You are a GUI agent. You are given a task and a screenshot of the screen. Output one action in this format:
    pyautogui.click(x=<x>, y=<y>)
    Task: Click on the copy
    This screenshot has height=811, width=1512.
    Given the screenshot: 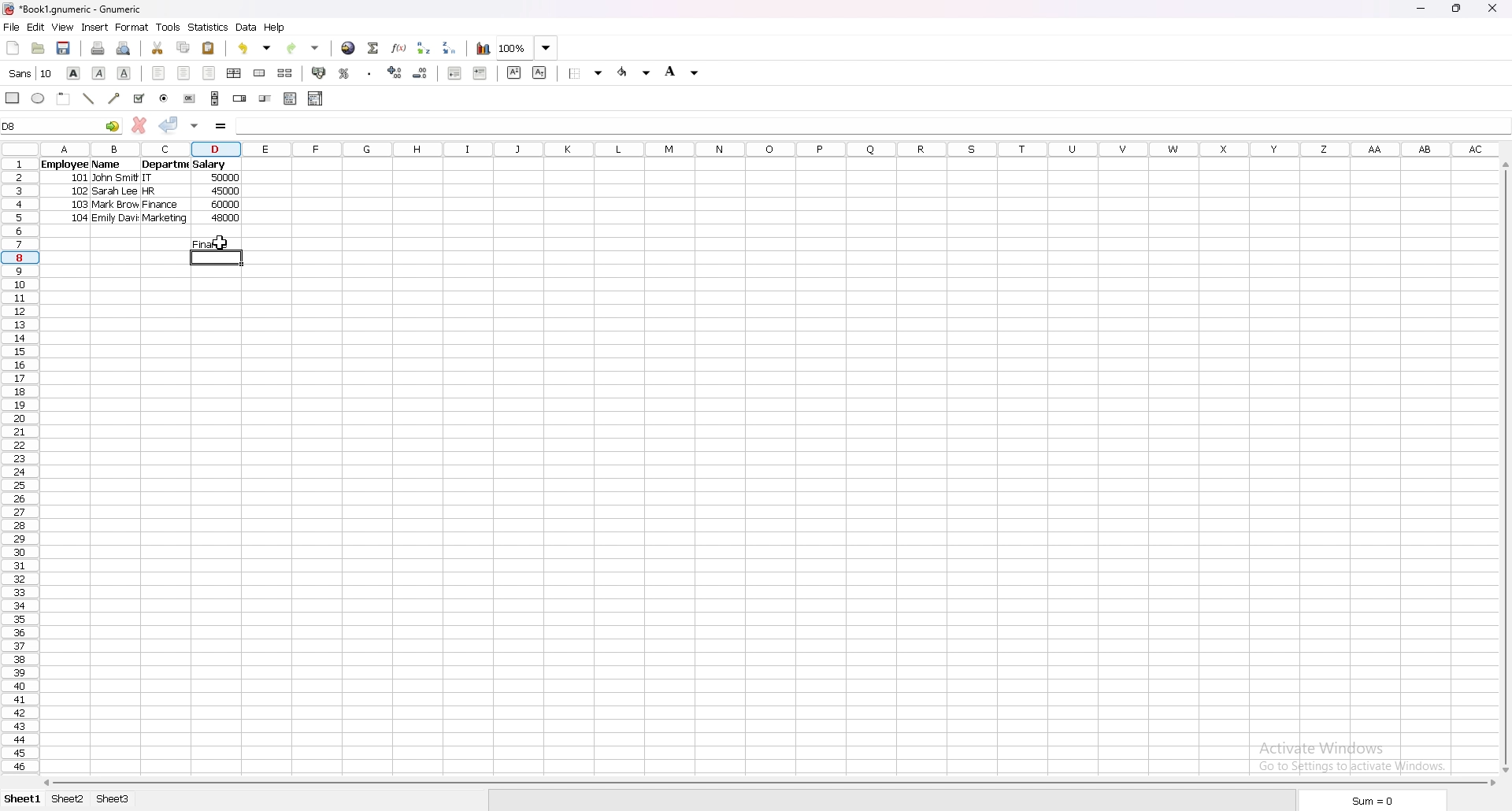 What is the action you would take?
    pyautogui.click(x=183, y=47)
    